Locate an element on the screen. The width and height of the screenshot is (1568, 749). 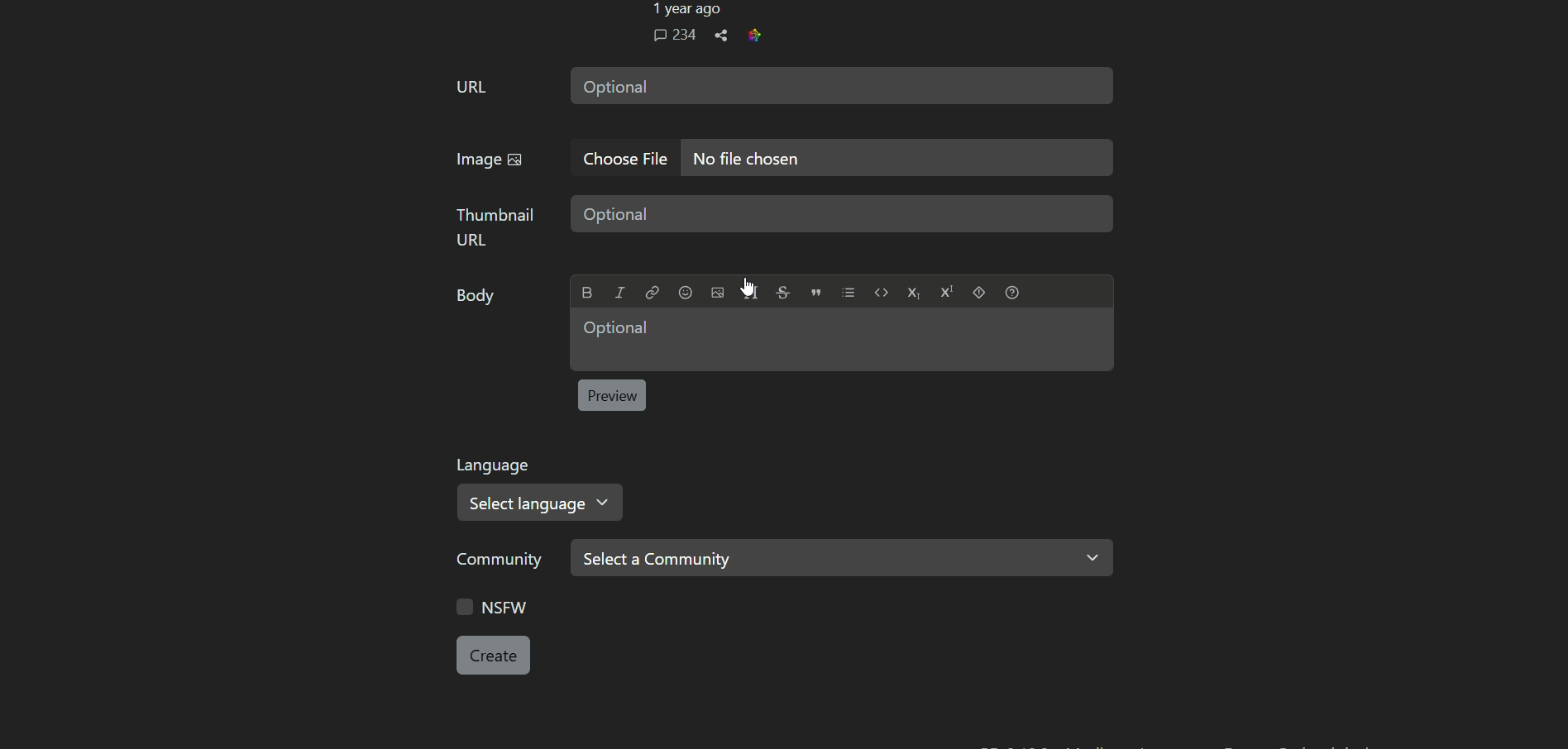
Create button is located at coordinates (493, 655).